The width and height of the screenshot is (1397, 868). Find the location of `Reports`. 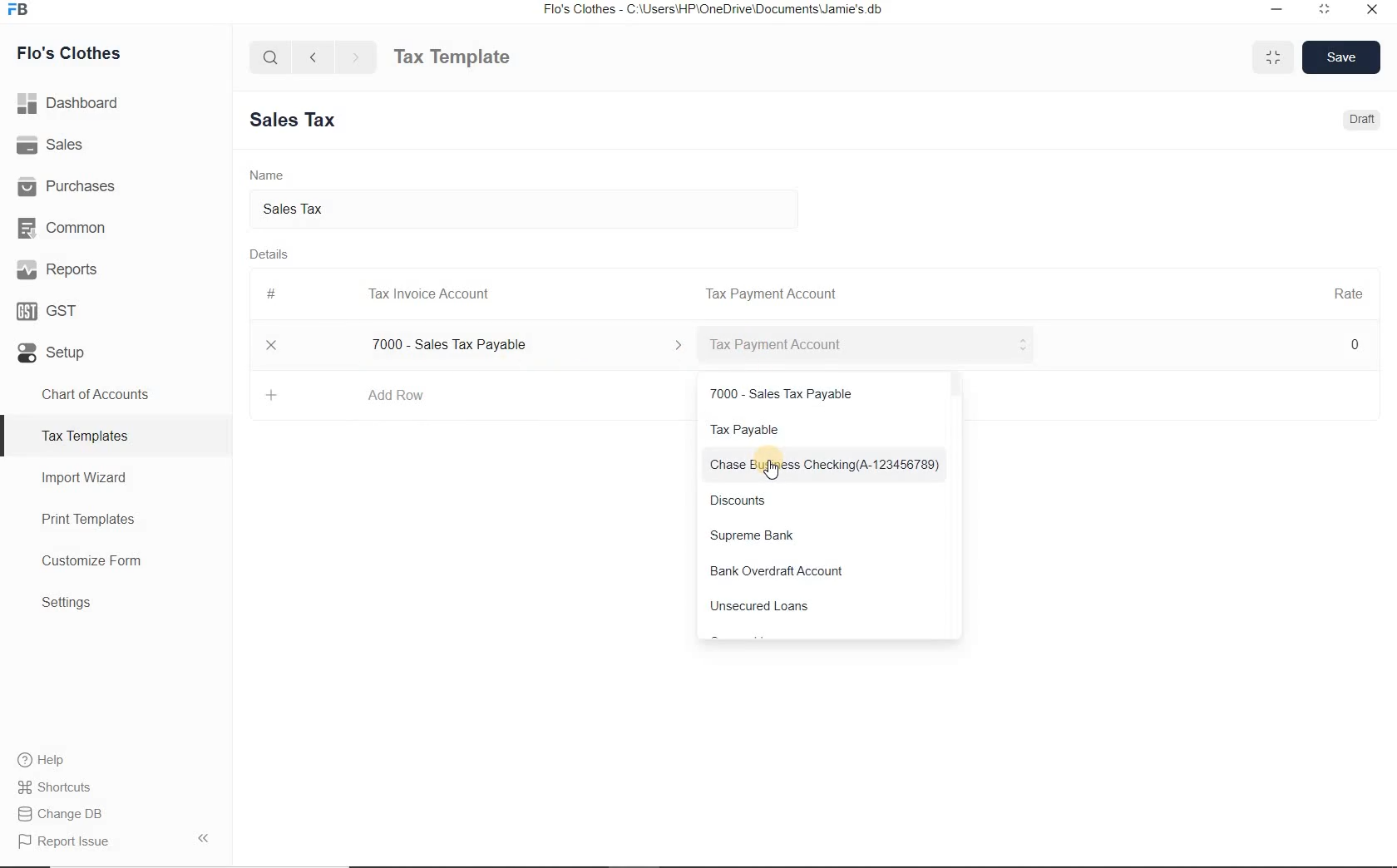

Reports is located at coordinates (116, 268).